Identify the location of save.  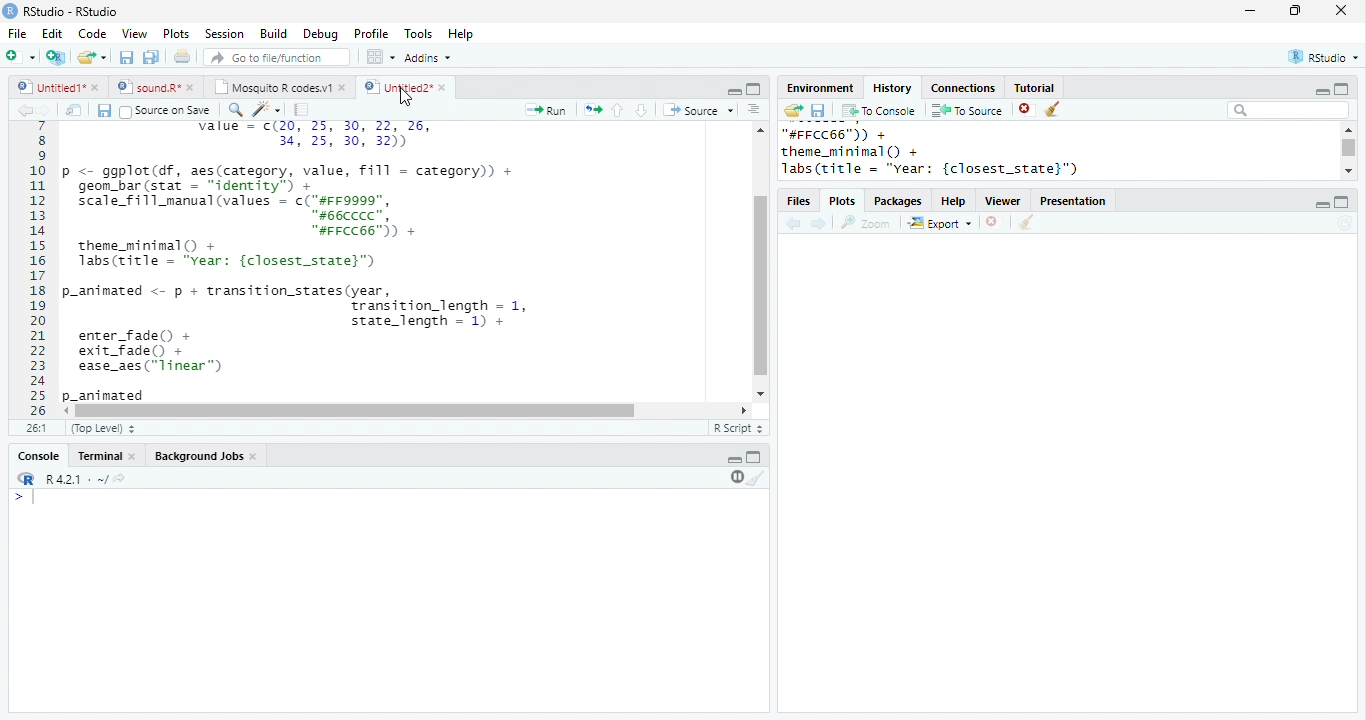
(818, 110).